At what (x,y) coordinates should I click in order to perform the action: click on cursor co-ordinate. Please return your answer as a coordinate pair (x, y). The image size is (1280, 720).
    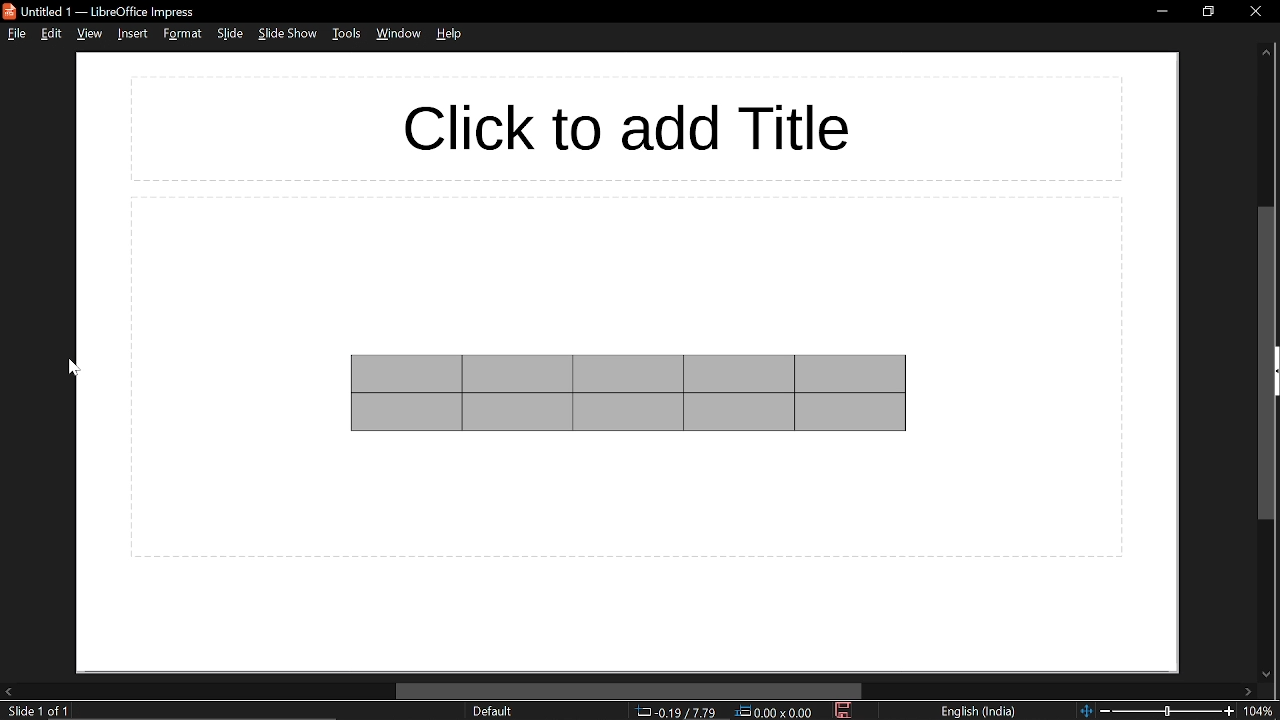
    Looking at the image, I should click on (676, 712).